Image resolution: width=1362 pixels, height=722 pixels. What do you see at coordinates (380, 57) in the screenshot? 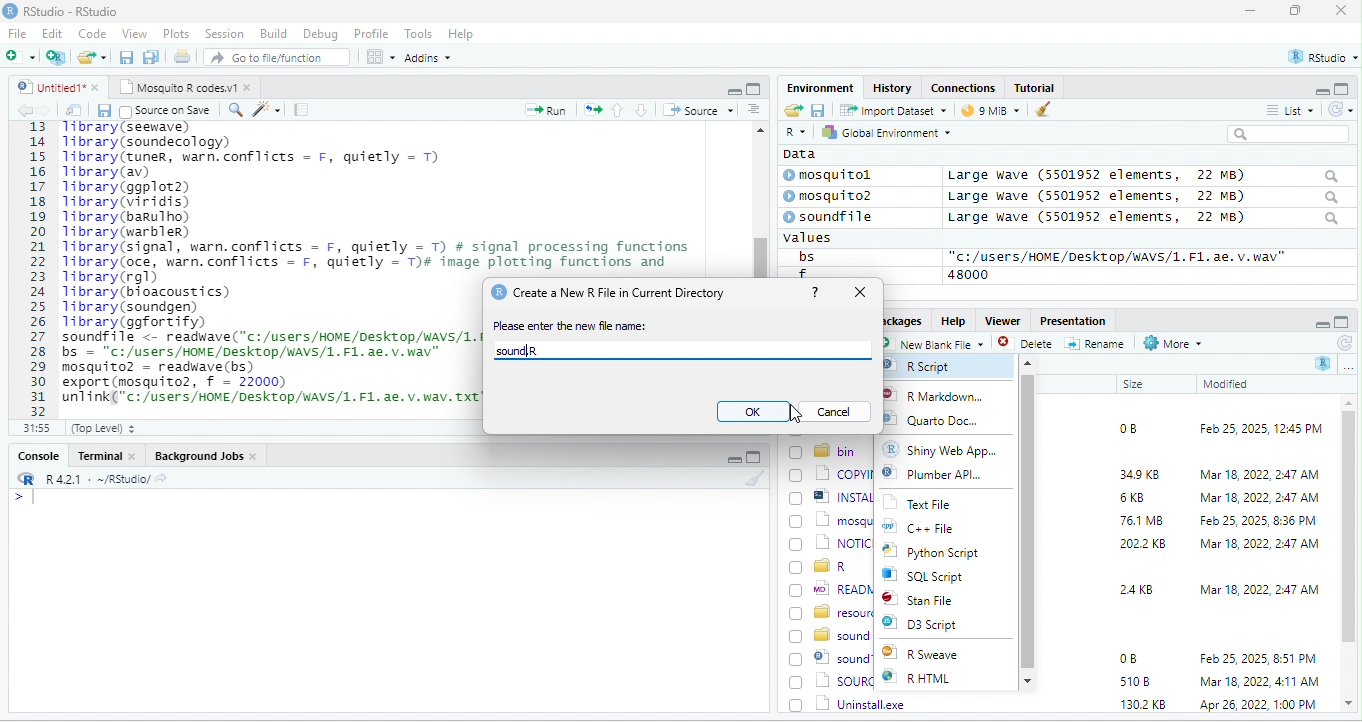
I see `view` at bounding box center [380, 57].